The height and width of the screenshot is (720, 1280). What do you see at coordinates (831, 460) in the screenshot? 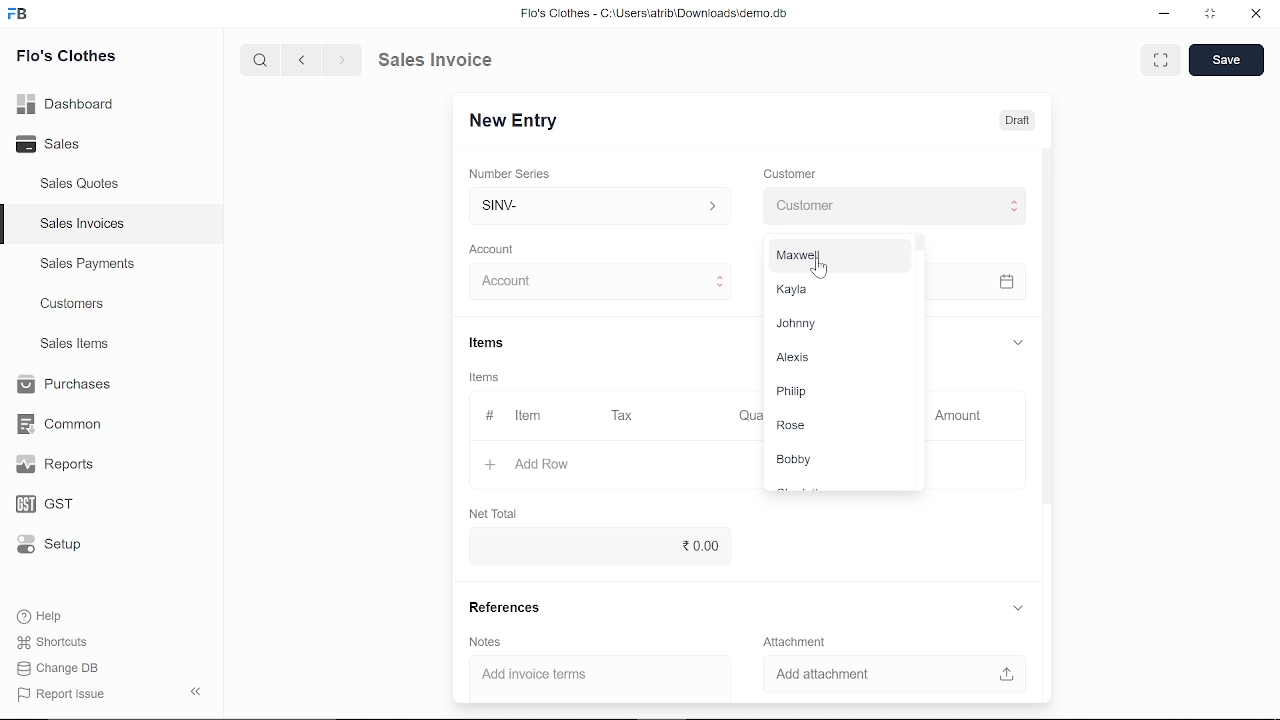
I see `Bobby` at bounding box center [831, 460].